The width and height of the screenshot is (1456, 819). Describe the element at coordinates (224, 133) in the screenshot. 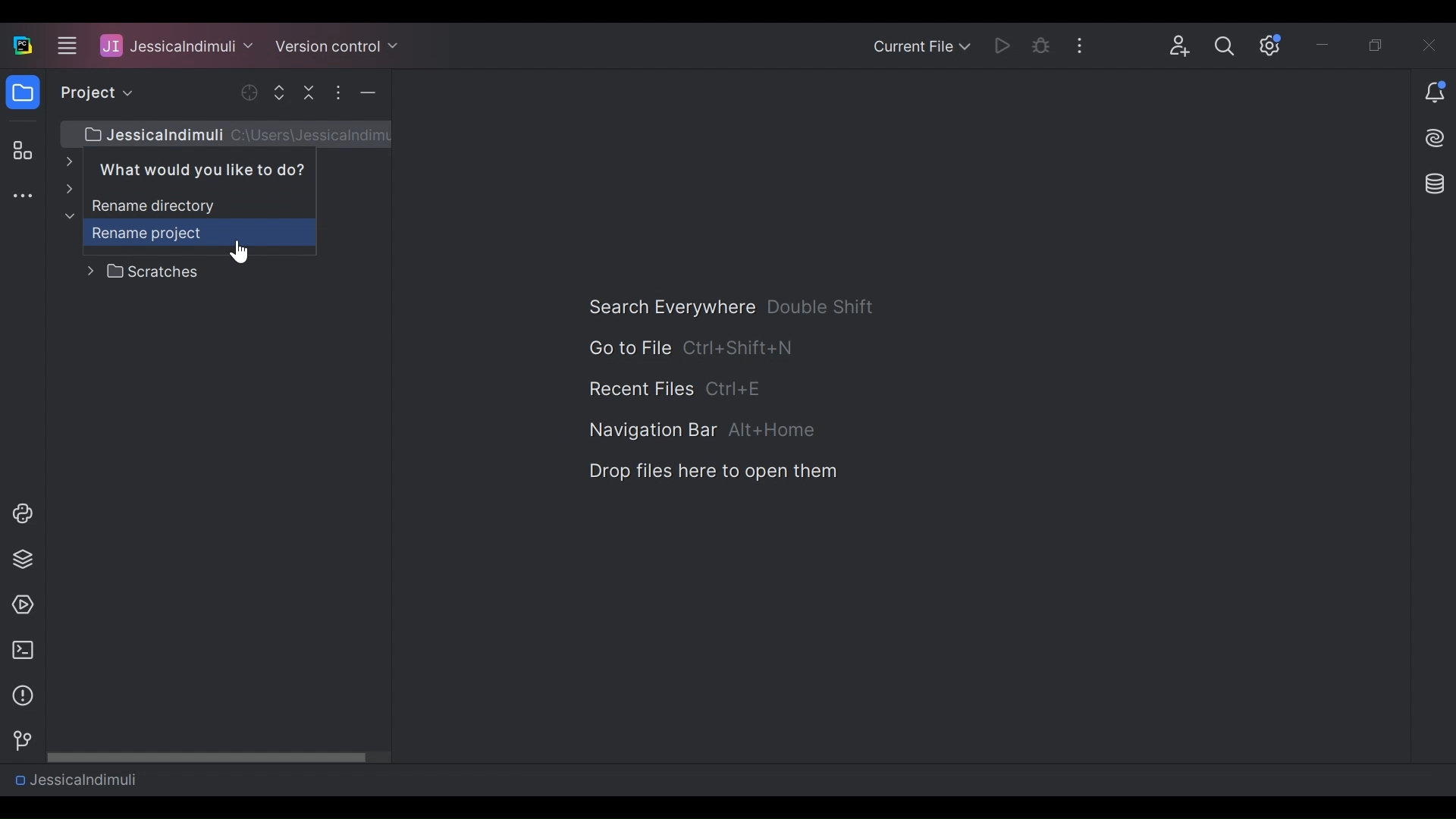

I see `current directory` at that location.